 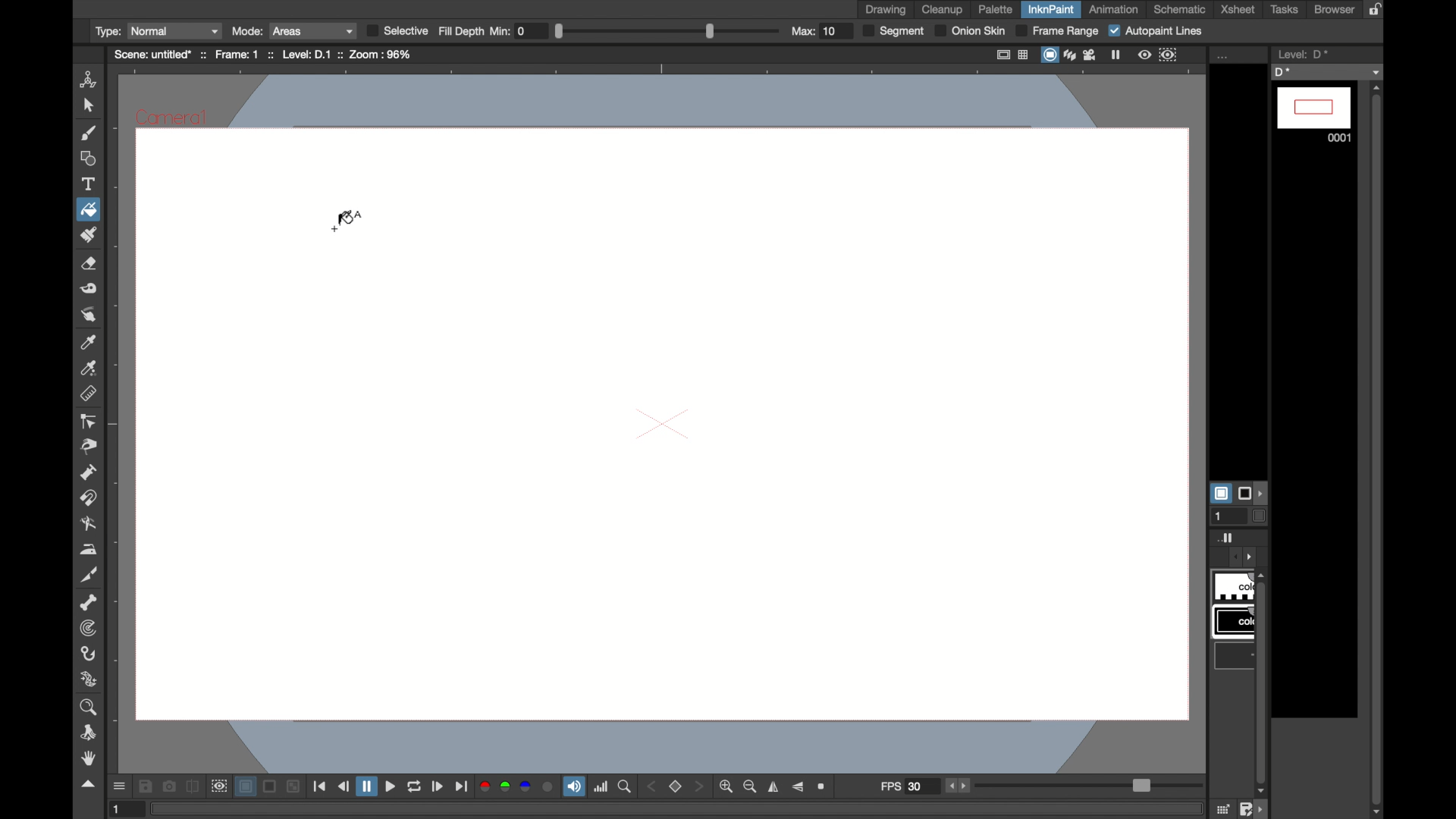 I want to click on drag handle, so click(x=90, y=785).